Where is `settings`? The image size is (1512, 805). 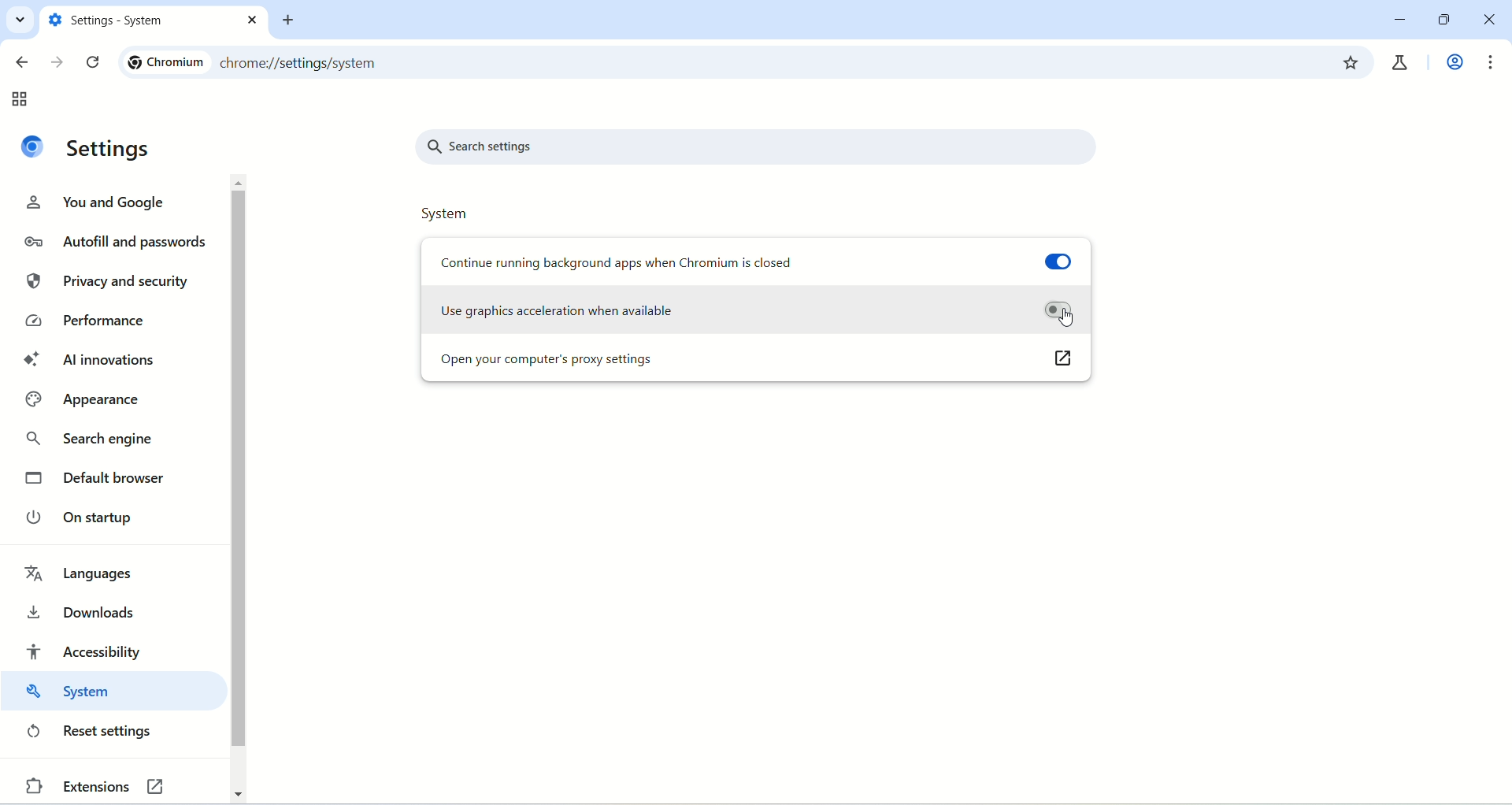 settings is located at coordinates (110, 149).